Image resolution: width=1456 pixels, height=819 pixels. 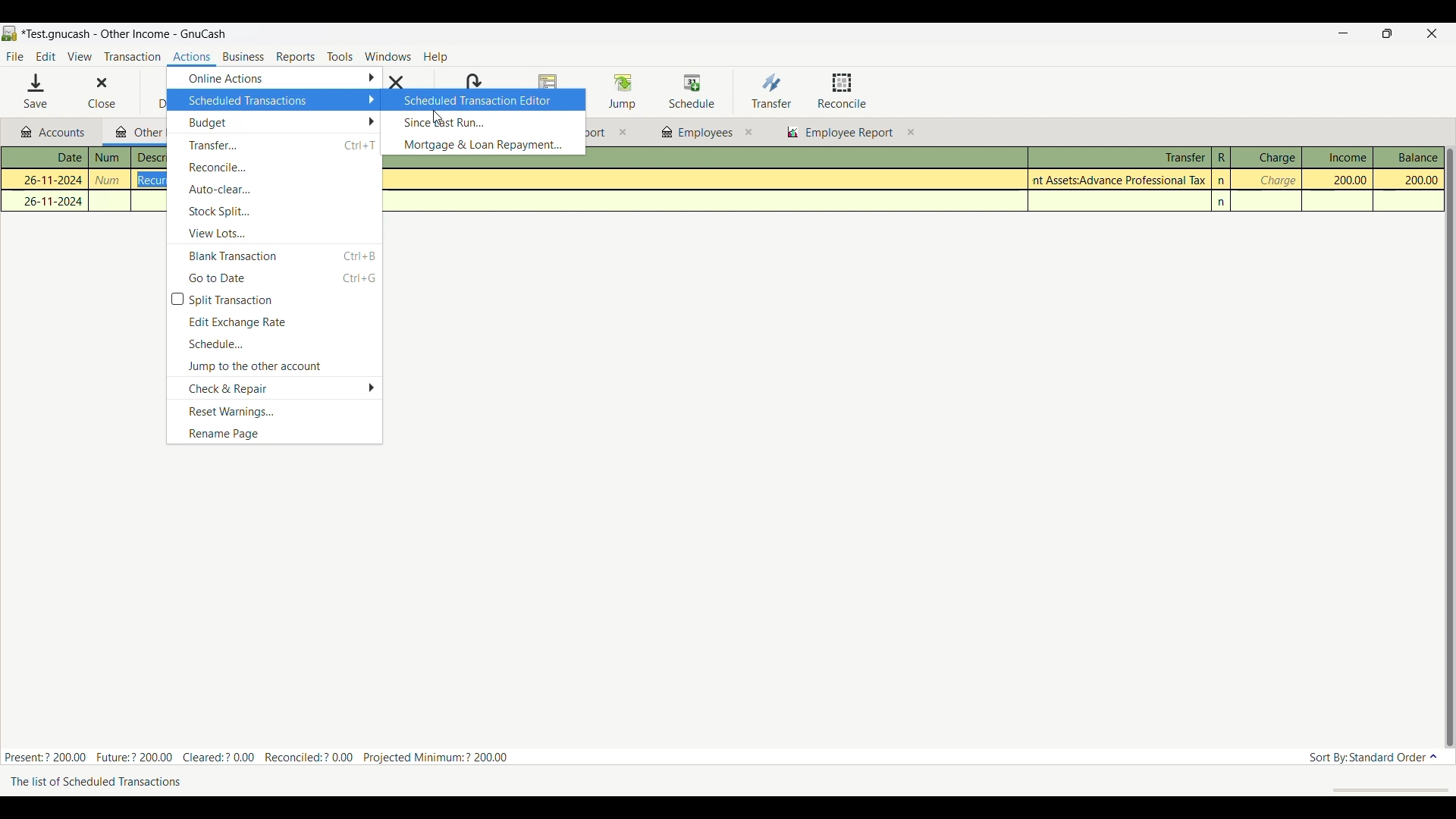 I want to click on Check and repair options, so click(x=275, y=389).